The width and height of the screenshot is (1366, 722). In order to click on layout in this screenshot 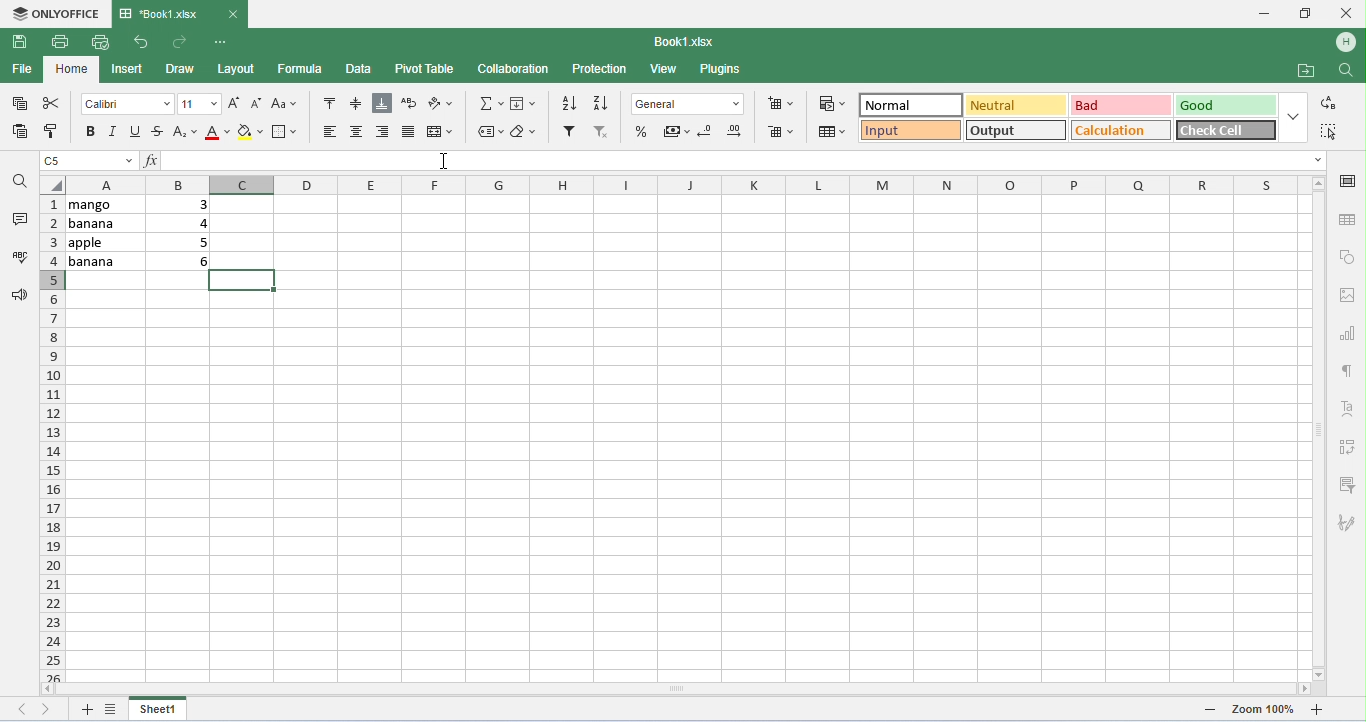, I will do `click(236, 69)`.